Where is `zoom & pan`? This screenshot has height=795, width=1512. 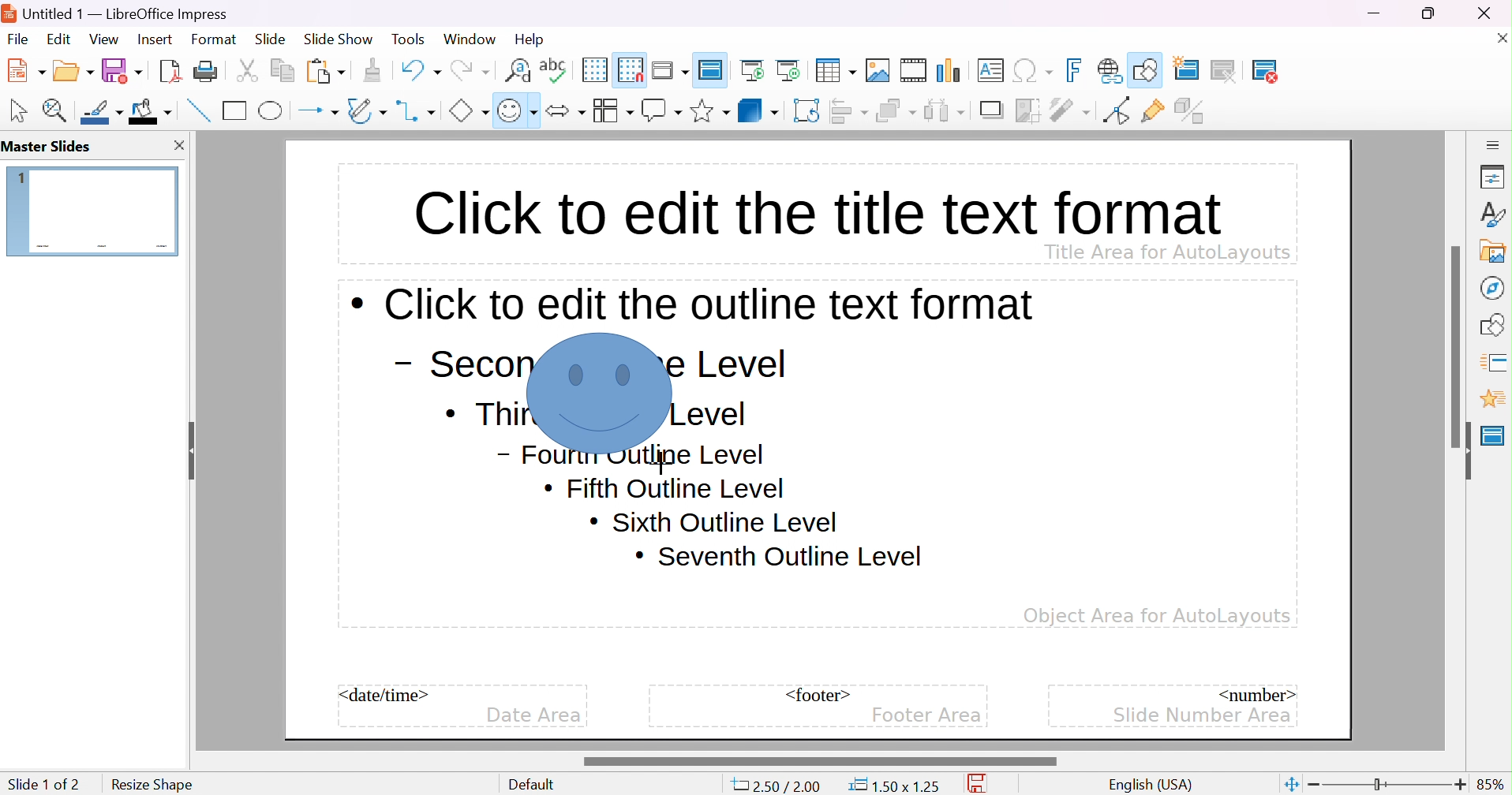
zoom & pan is located at coordinates (58, 110).